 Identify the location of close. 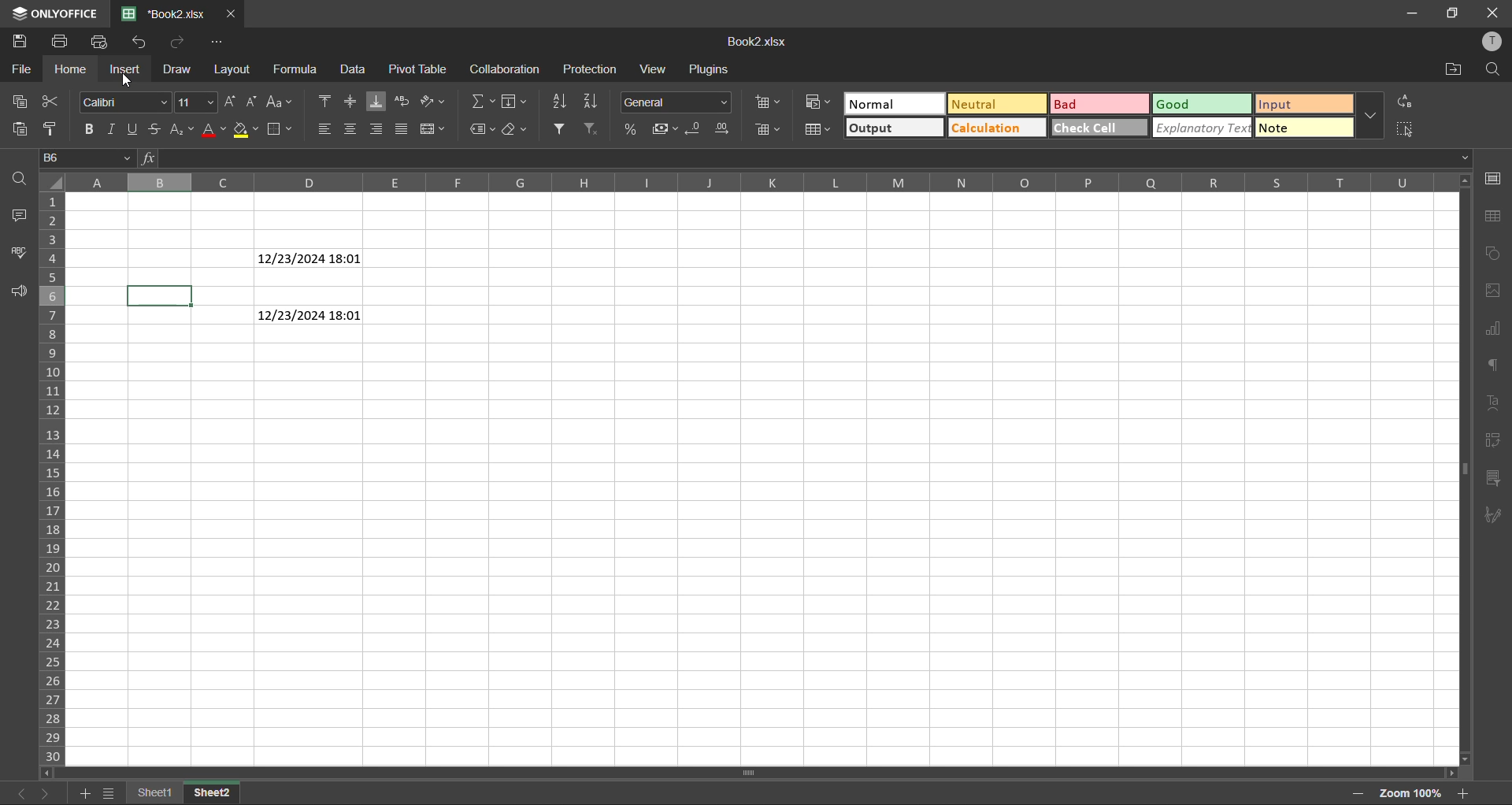
(232, 13).